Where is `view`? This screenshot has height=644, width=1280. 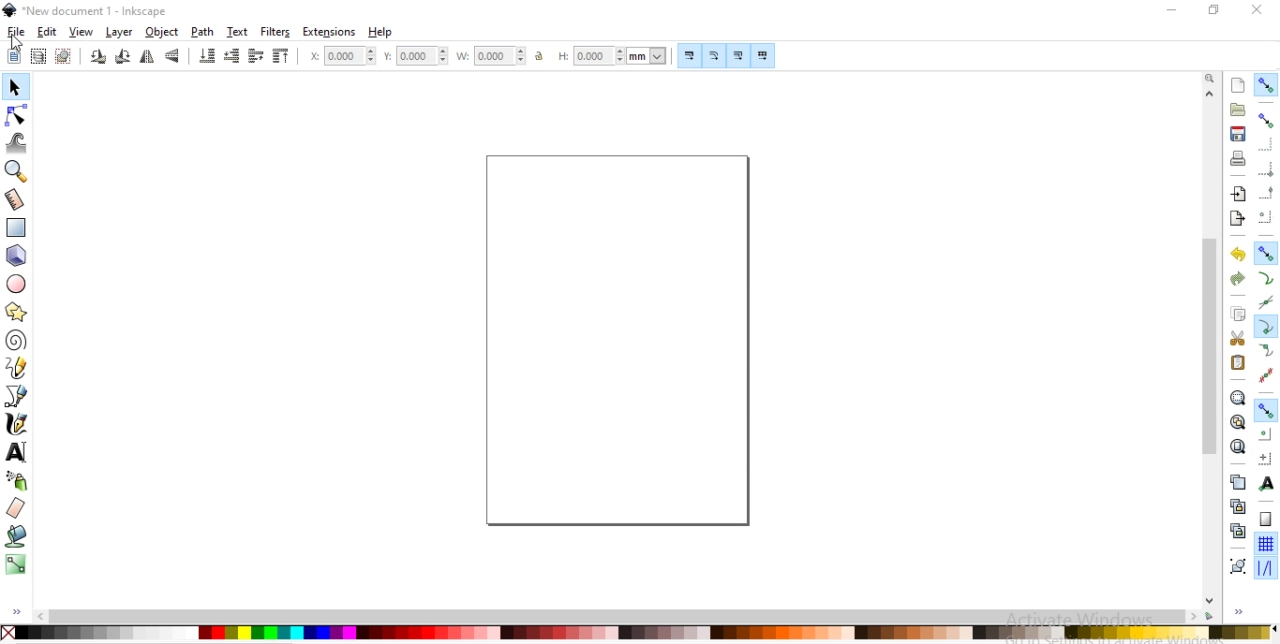 view is located at coordinates (82, 32).